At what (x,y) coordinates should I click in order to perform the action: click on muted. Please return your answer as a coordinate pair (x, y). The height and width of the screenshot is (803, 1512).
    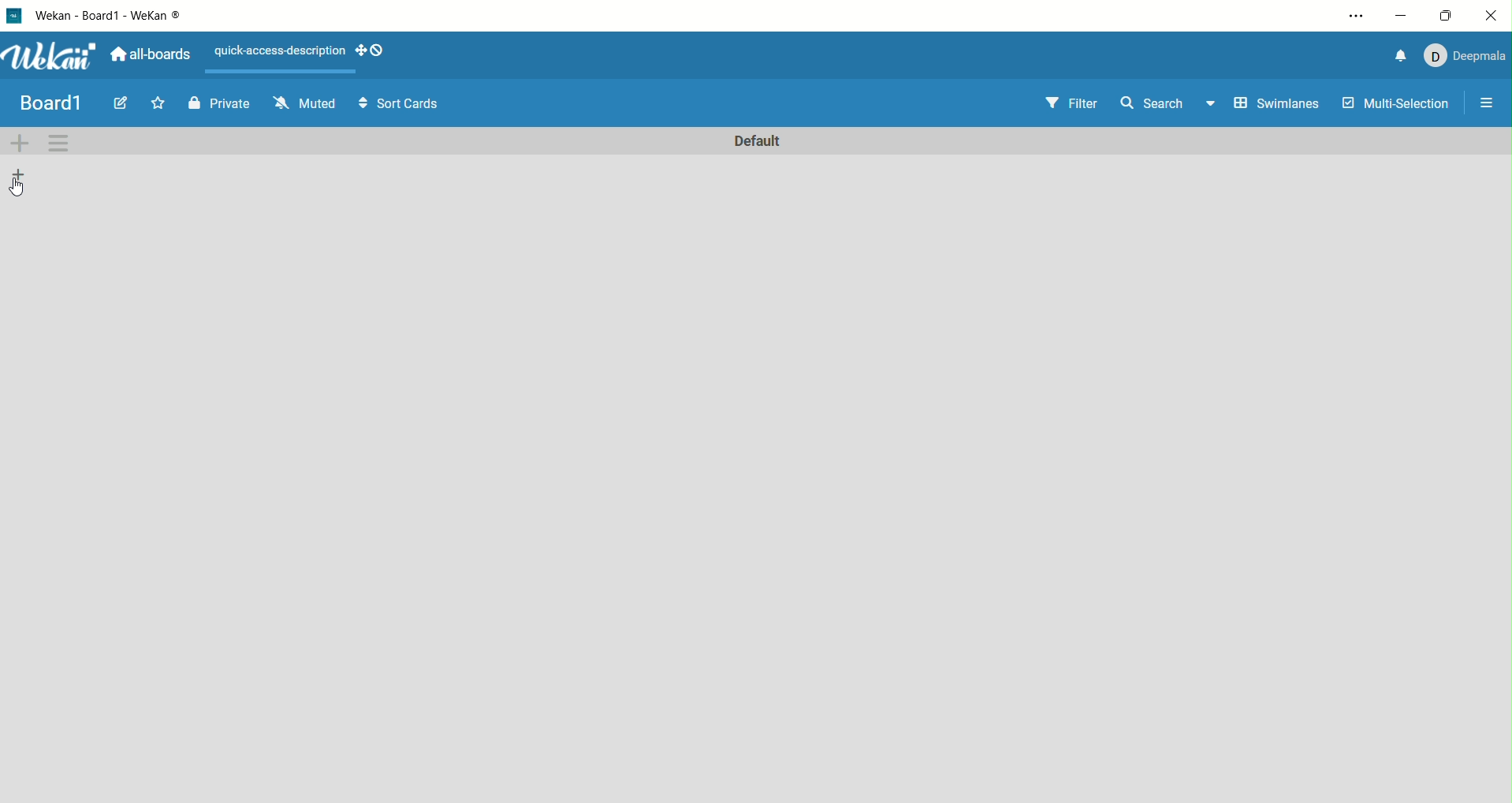
    Looking at the image, I should click on (305, 102).